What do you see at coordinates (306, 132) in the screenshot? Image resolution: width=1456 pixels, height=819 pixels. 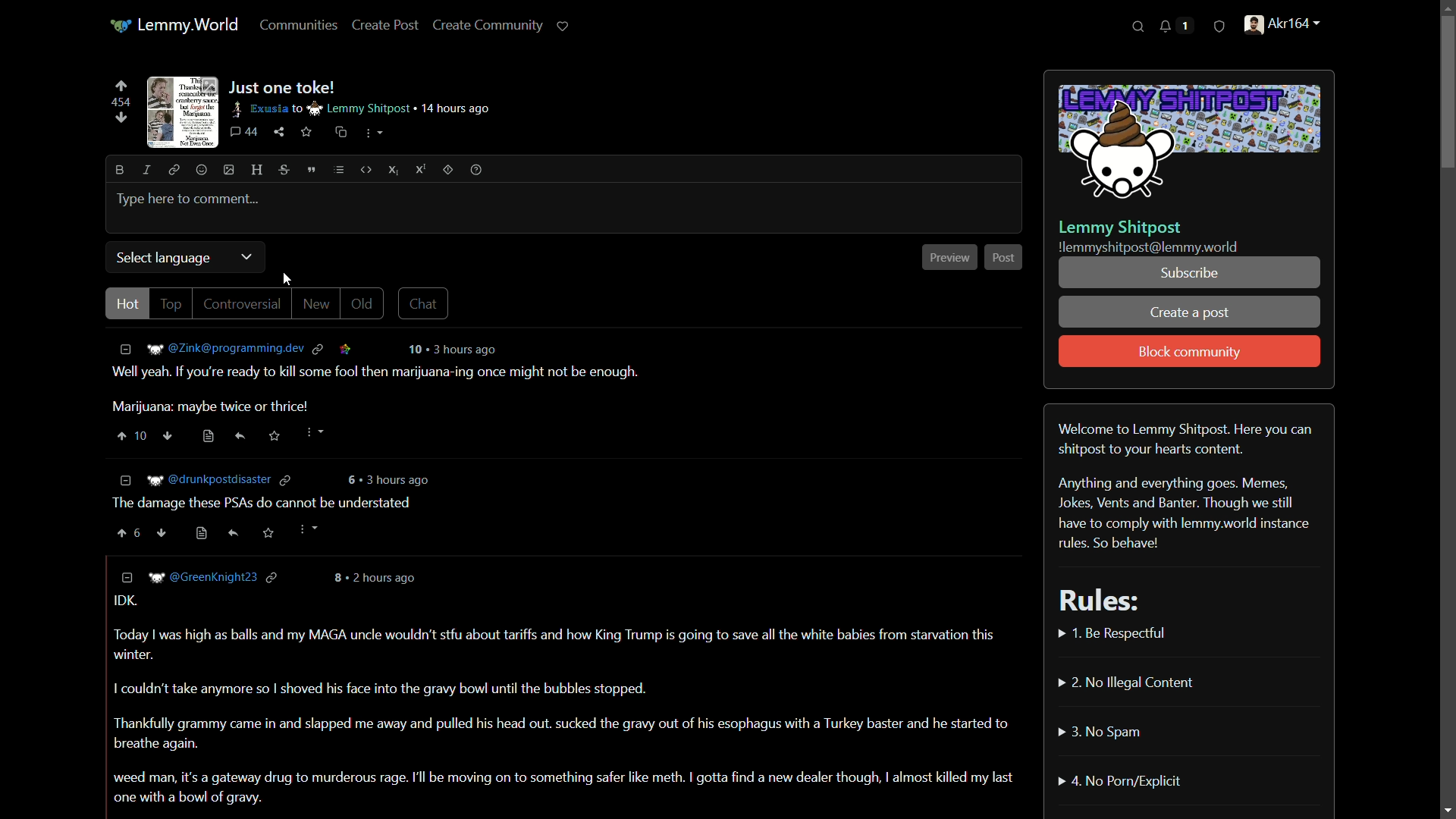 I see `save` at bounding box center [306, 132].